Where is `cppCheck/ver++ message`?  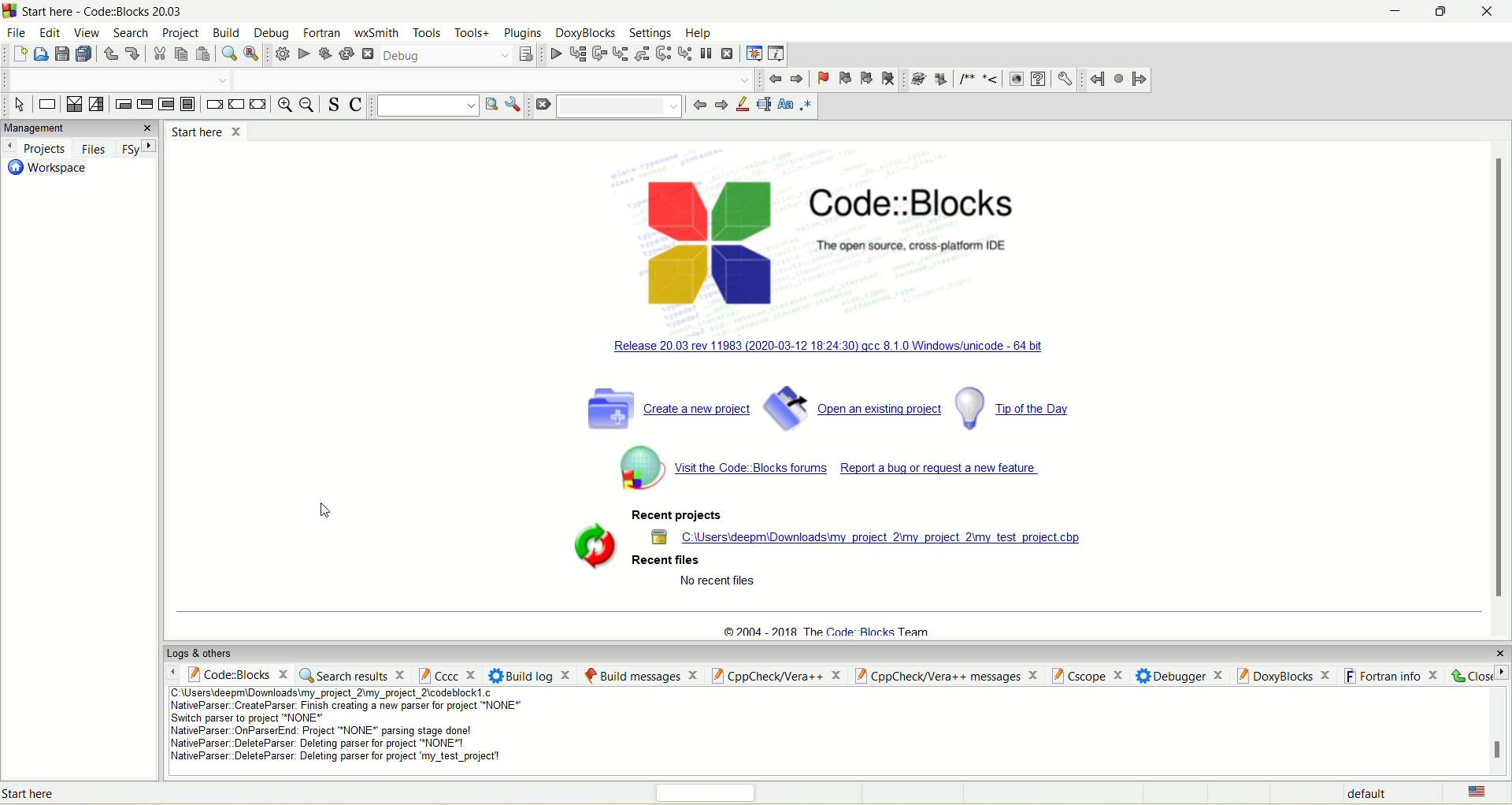
cppCheck/ver++ message is located at coordinates (951, 677).